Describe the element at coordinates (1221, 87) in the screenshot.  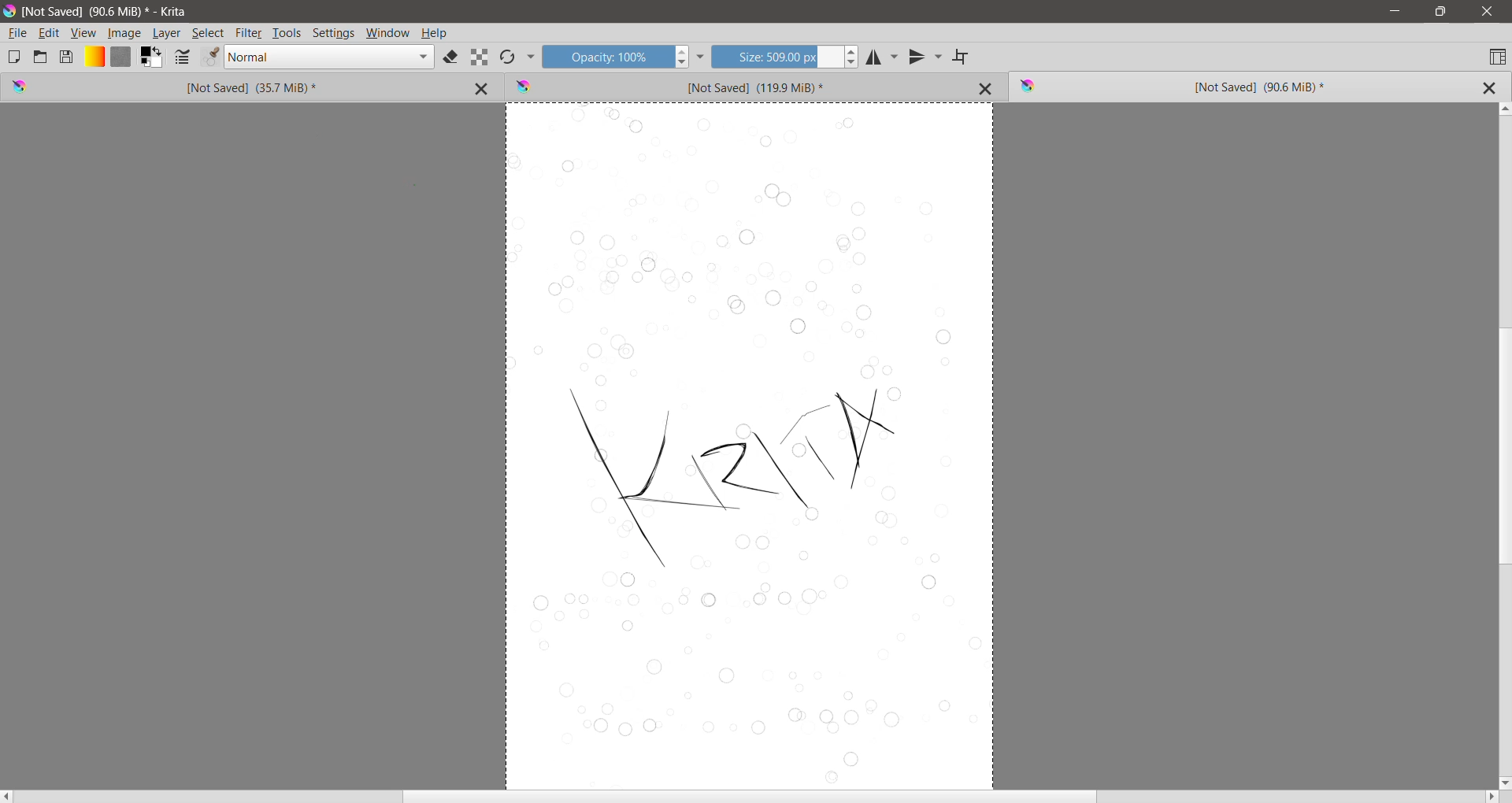
I see `Unsaved Image (Current) Tab 3` at that location.